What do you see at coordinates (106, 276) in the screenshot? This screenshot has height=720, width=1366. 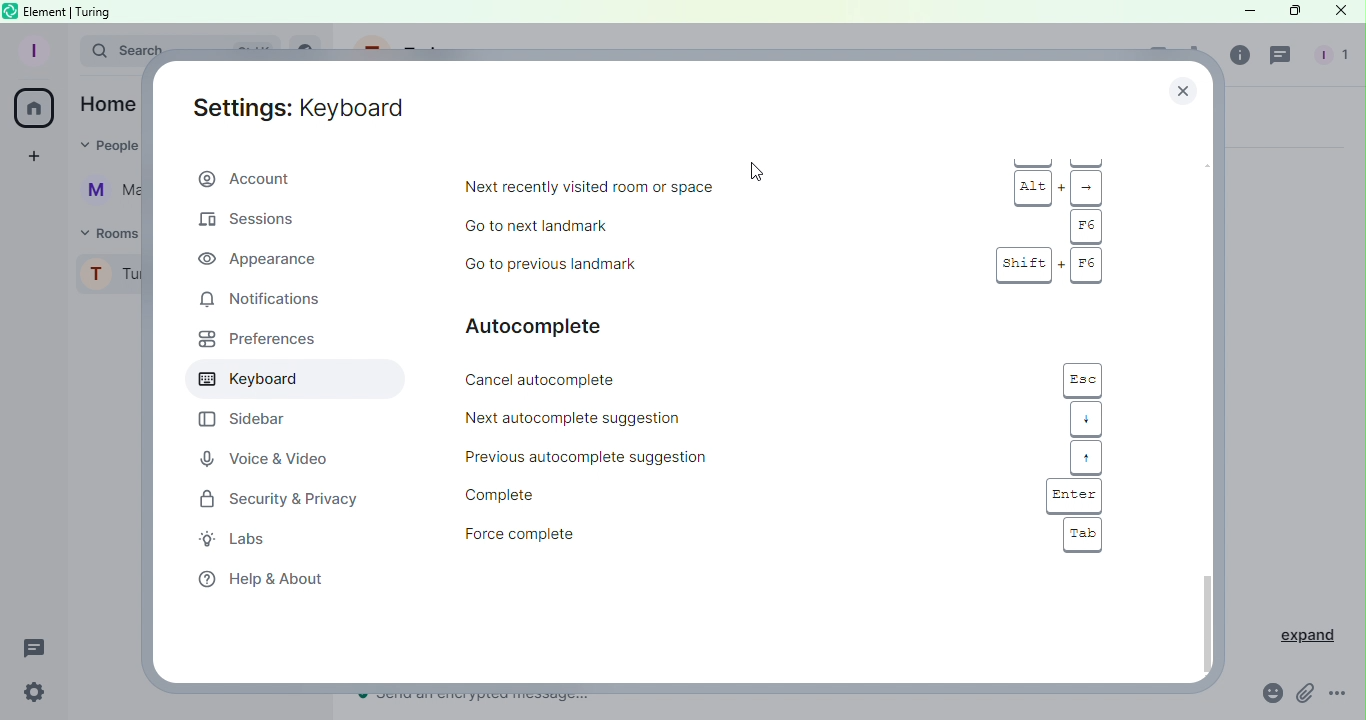 I see `Profile` at bounding box center [106, 276].